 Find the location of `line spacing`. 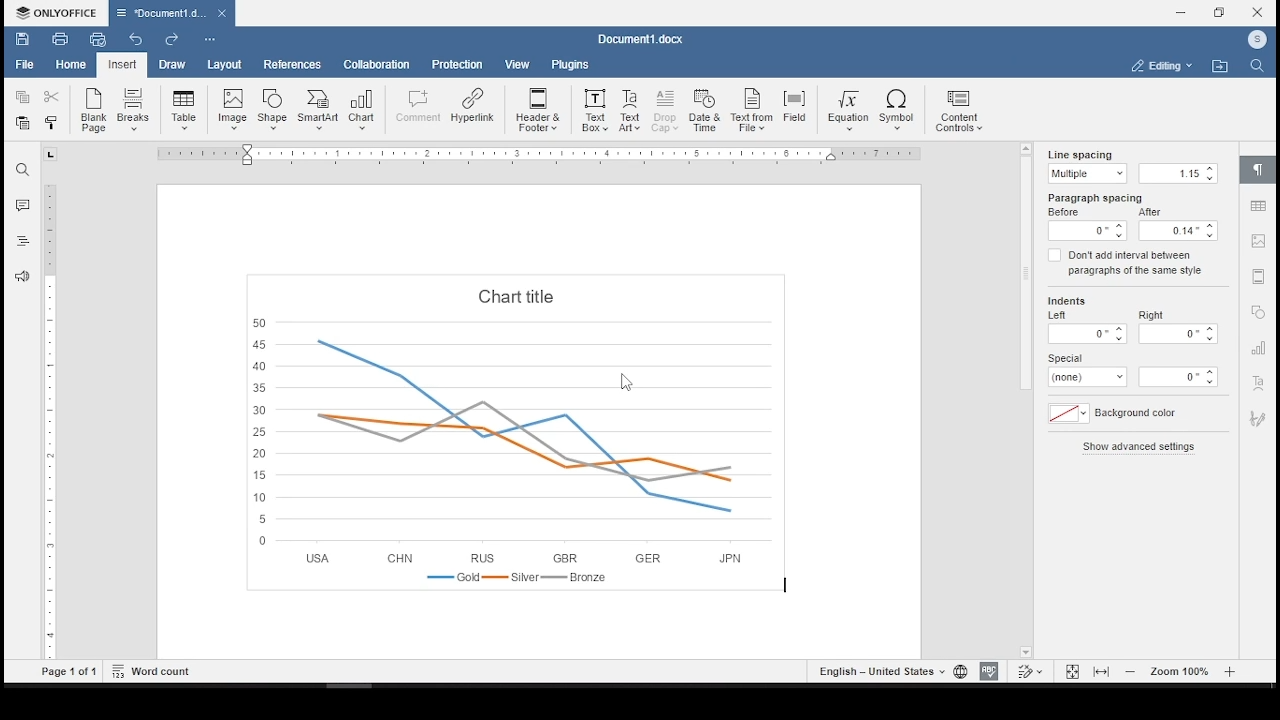

line spacing is located at coordinates (1080, 153).